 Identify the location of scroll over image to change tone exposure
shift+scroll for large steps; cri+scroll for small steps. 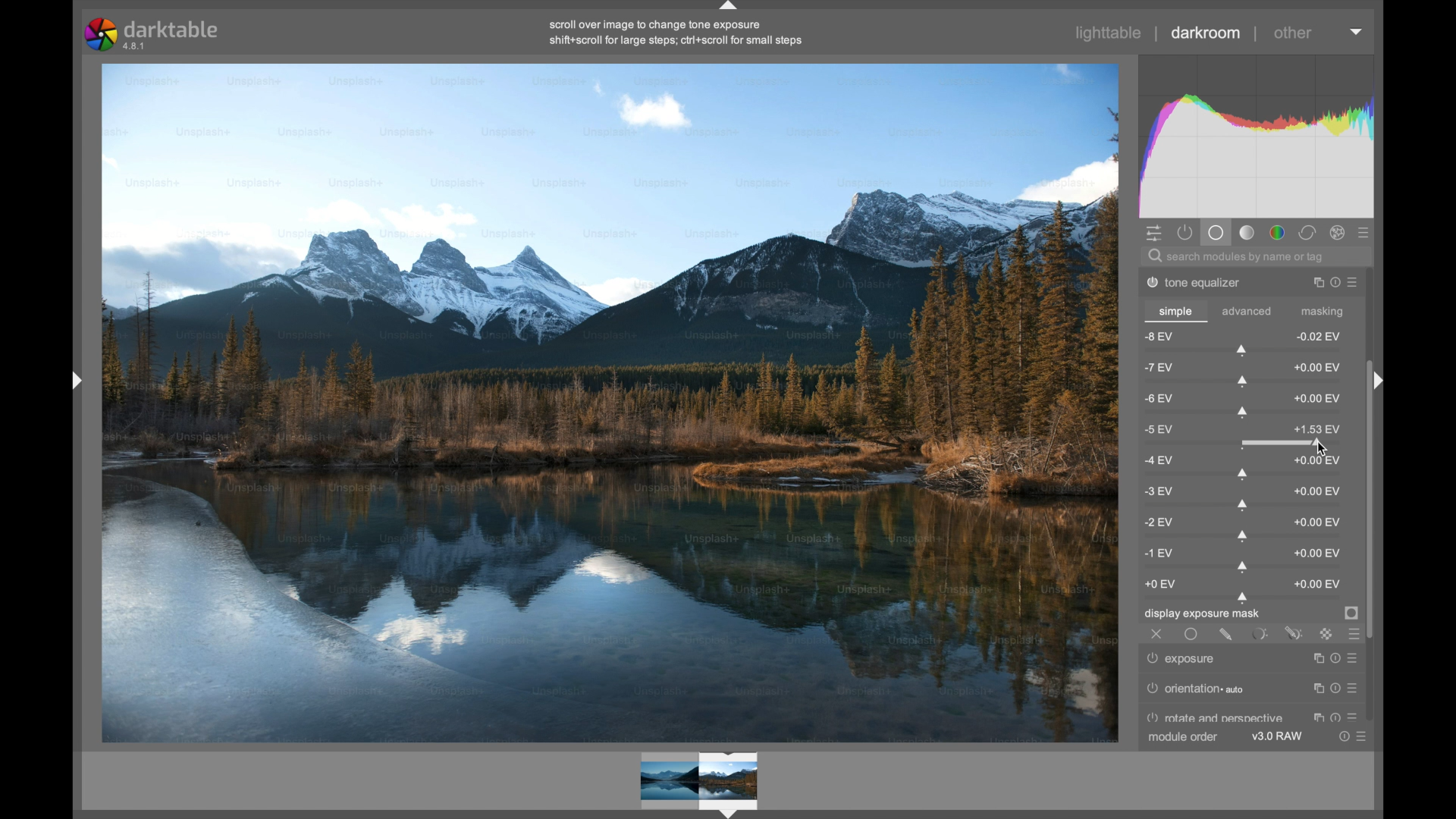
(672, 36).